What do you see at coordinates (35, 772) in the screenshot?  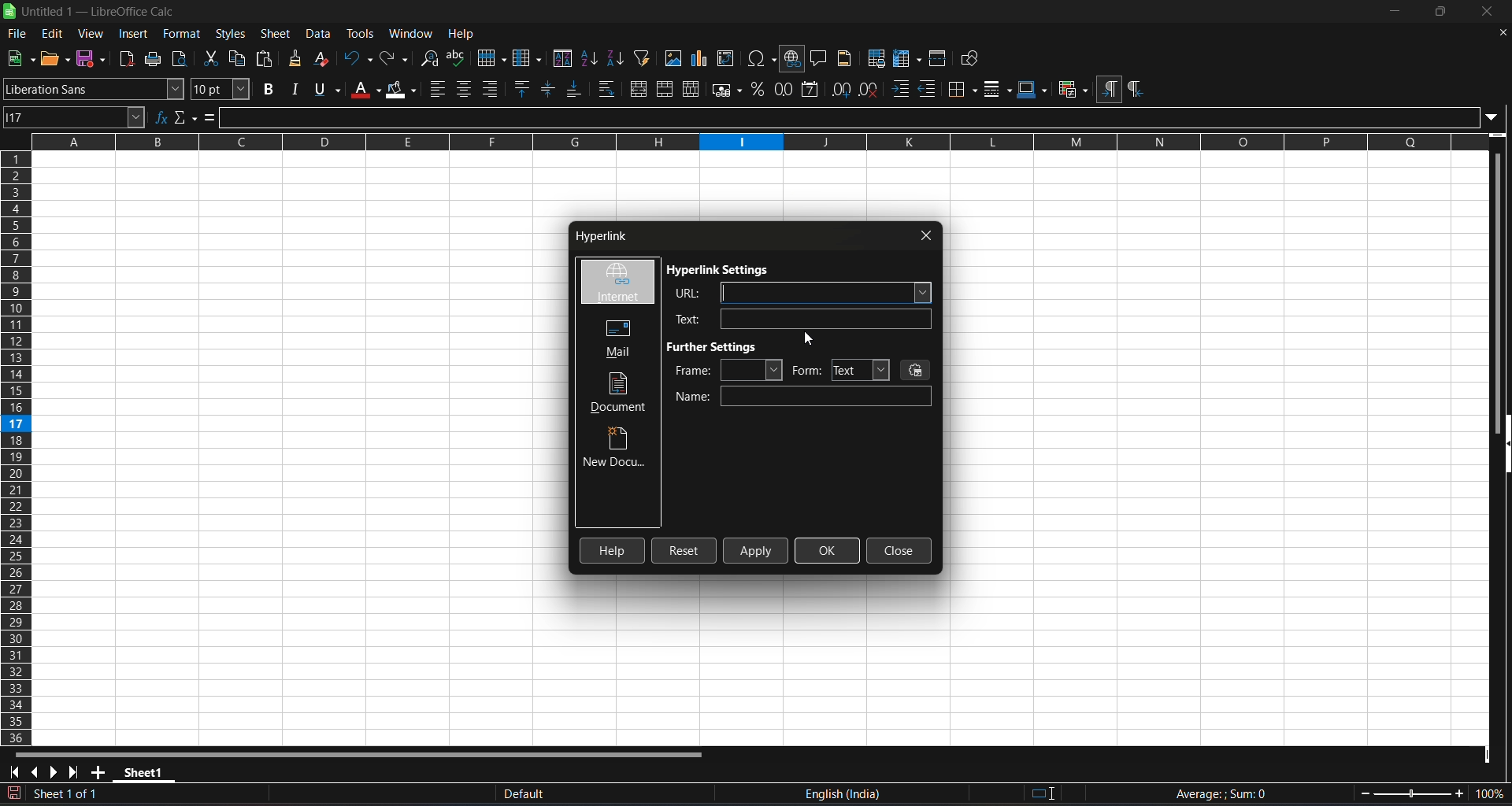 I see `scroll to previous sheet` at bounding box center [35, 772].